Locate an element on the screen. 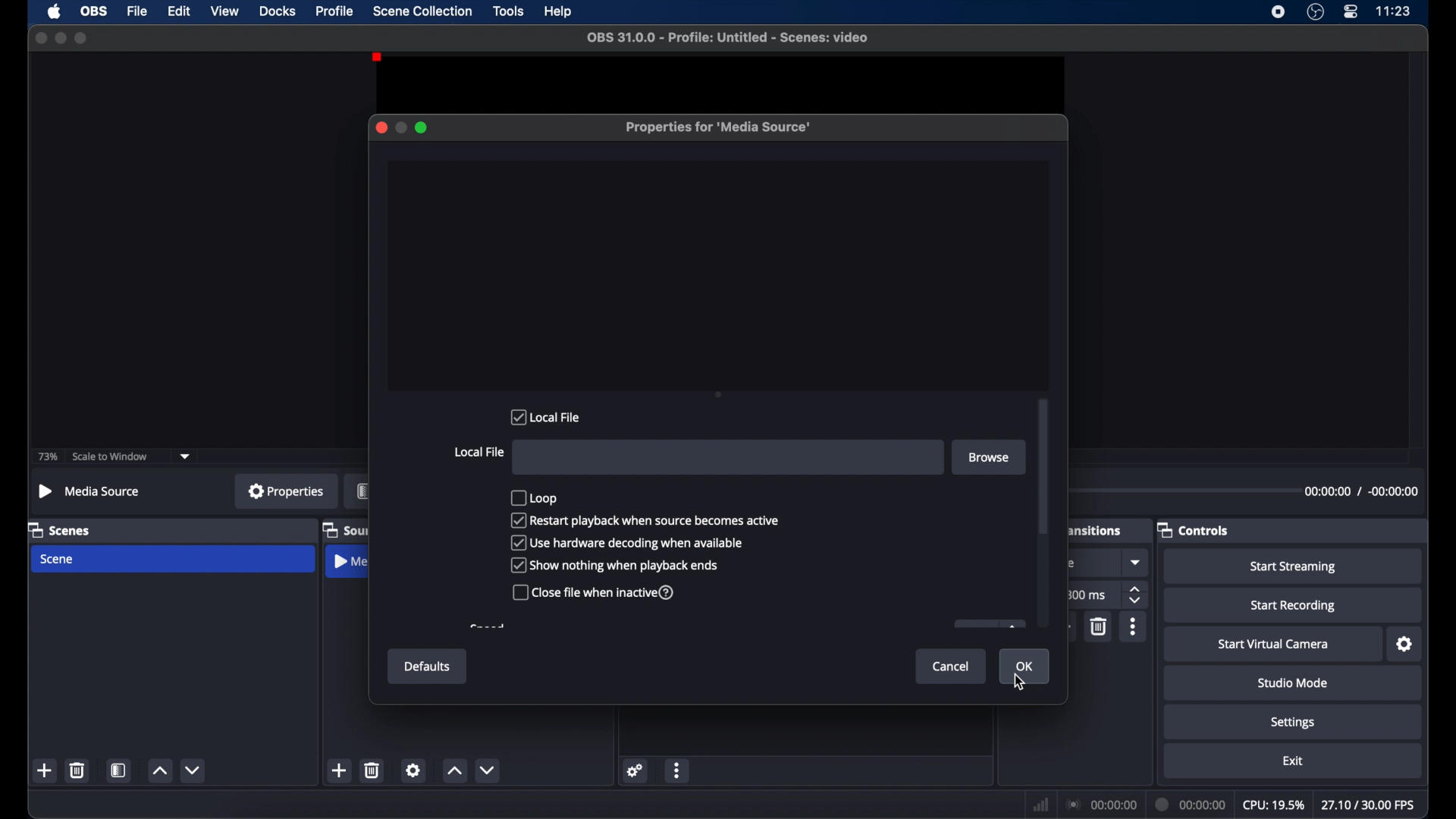  minimize is located at coordinates (60, 38).